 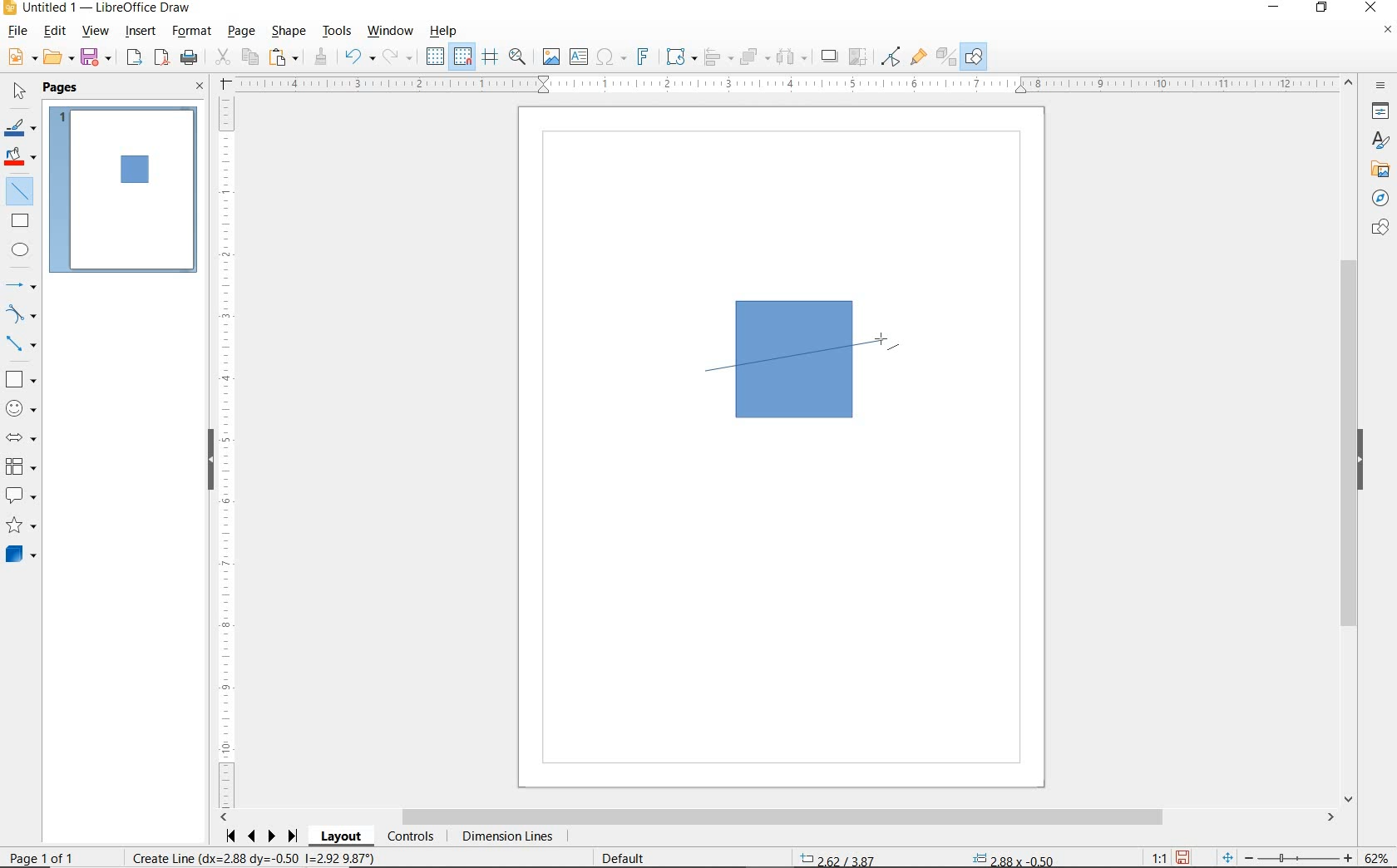 What do you see at coordinates (1378, 229) in the screenshot?
I see `SHAPES` at bounding box center [1378, 229].